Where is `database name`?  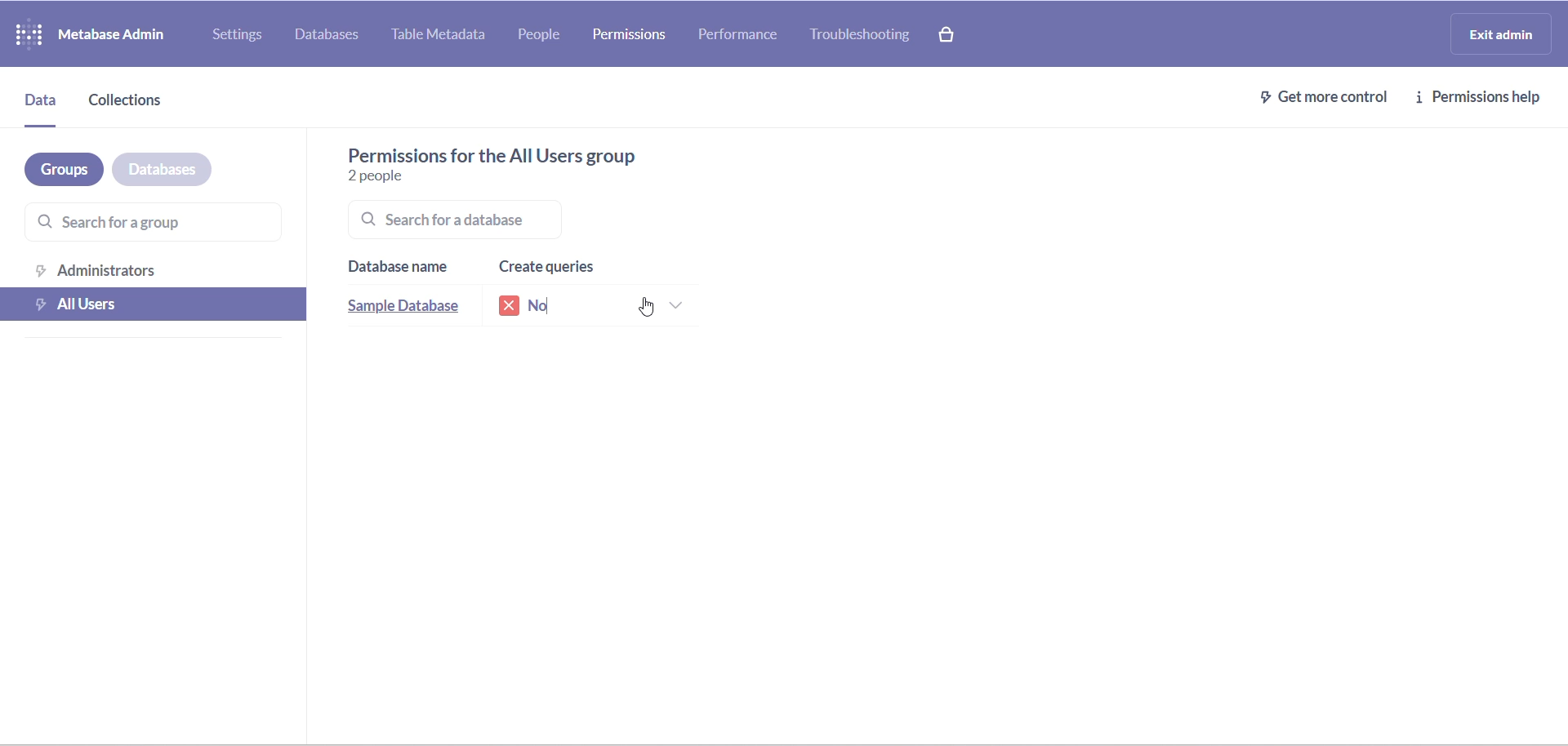
database name is located at coordinates (406, 268).